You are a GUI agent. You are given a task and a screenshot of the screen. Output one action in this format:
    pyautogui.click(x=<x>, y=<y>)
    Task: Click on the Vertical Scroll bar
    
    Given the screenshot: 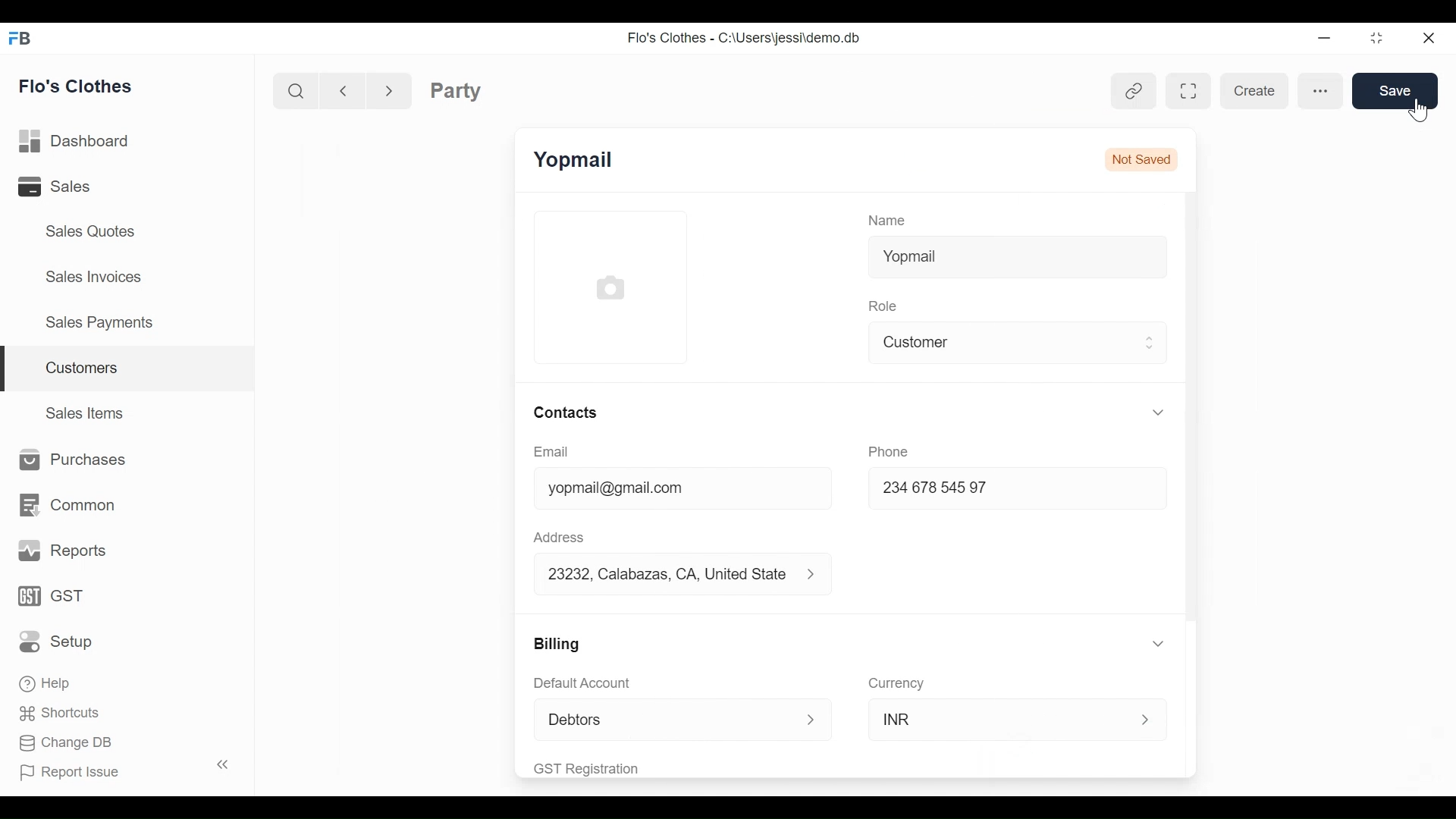 What is the action you would take?
    pyautogui.click(x=1194, y=407)
    